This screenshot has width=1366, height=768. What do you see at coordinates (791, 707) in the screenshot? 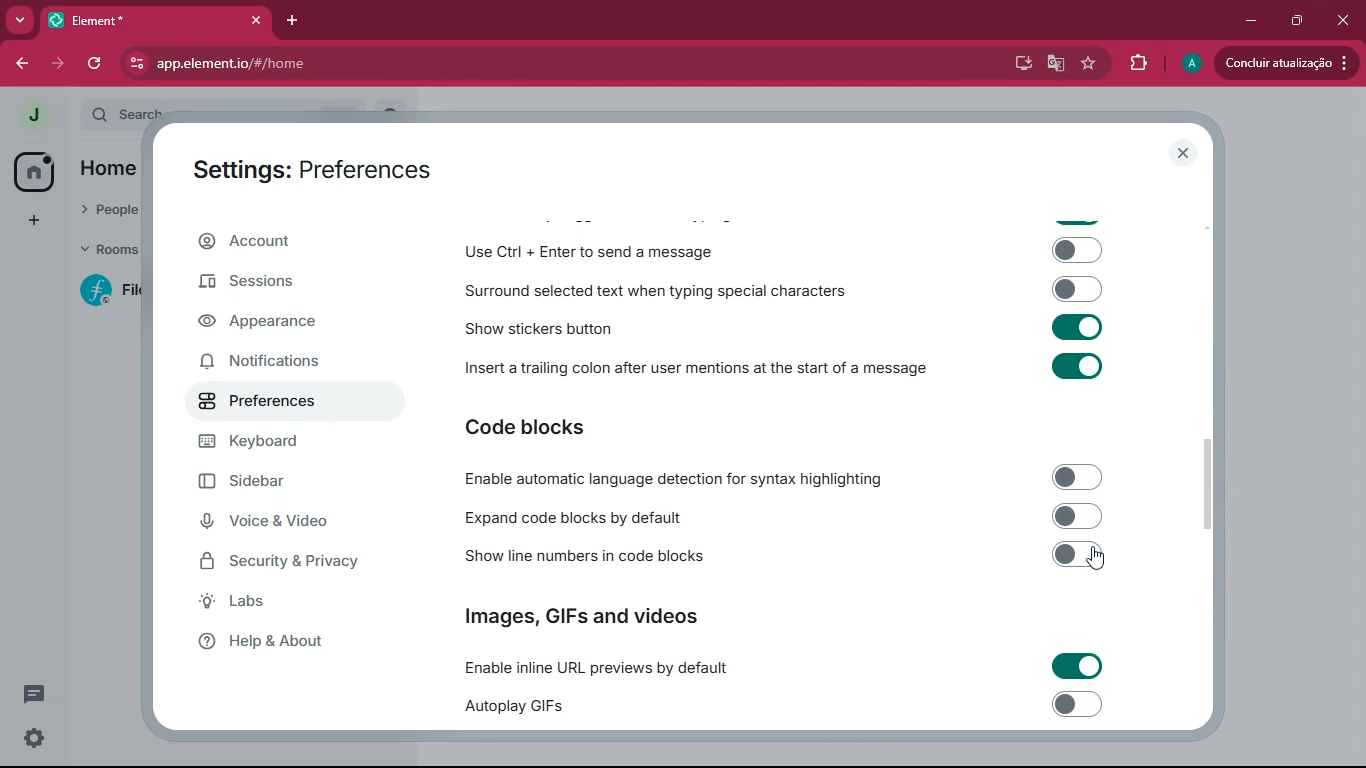
I see `Autoplay GIFs` at bounding box center [791, 707].